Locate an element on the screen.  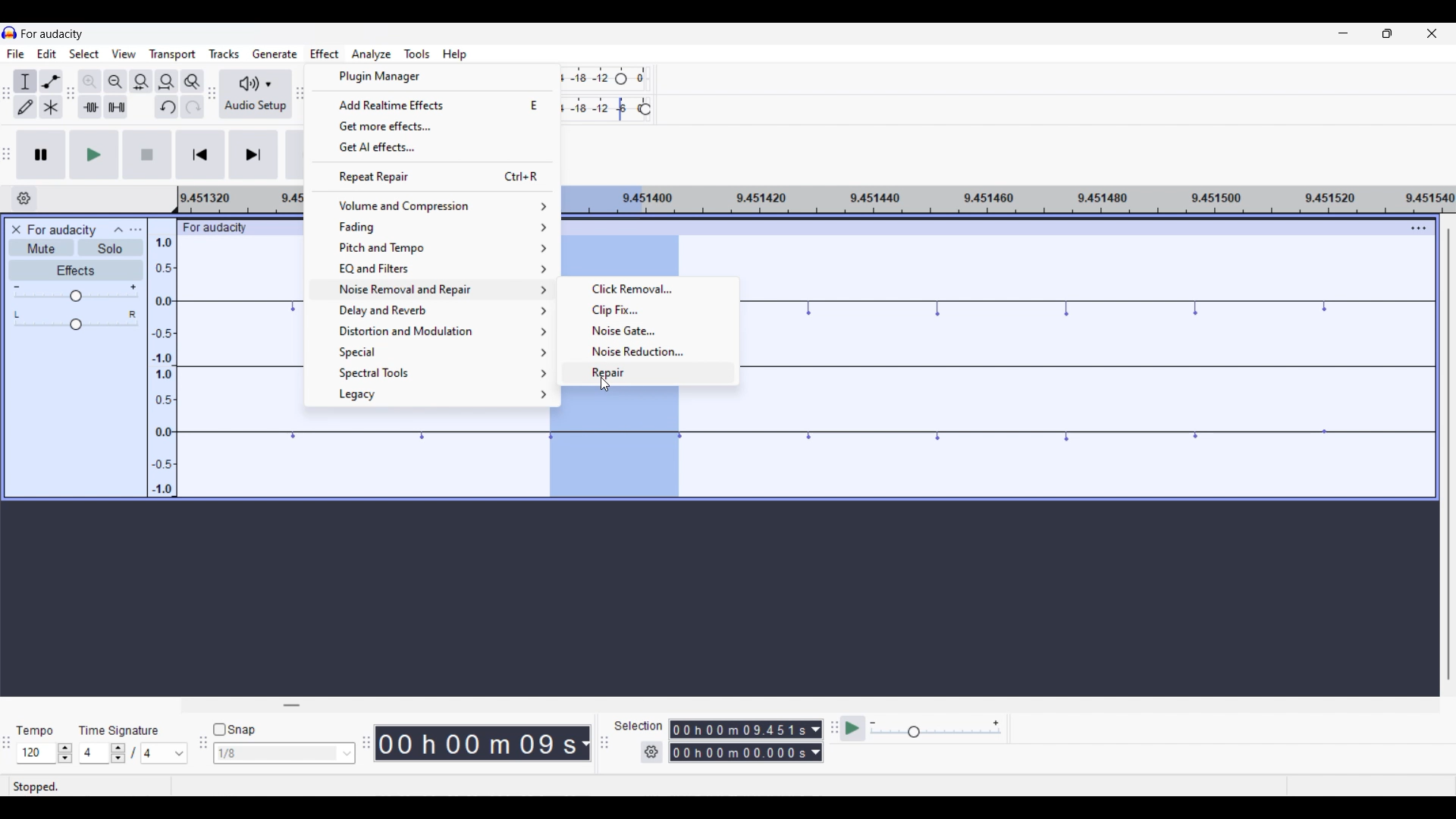
Selection duration is located at coordinates (738, 742).